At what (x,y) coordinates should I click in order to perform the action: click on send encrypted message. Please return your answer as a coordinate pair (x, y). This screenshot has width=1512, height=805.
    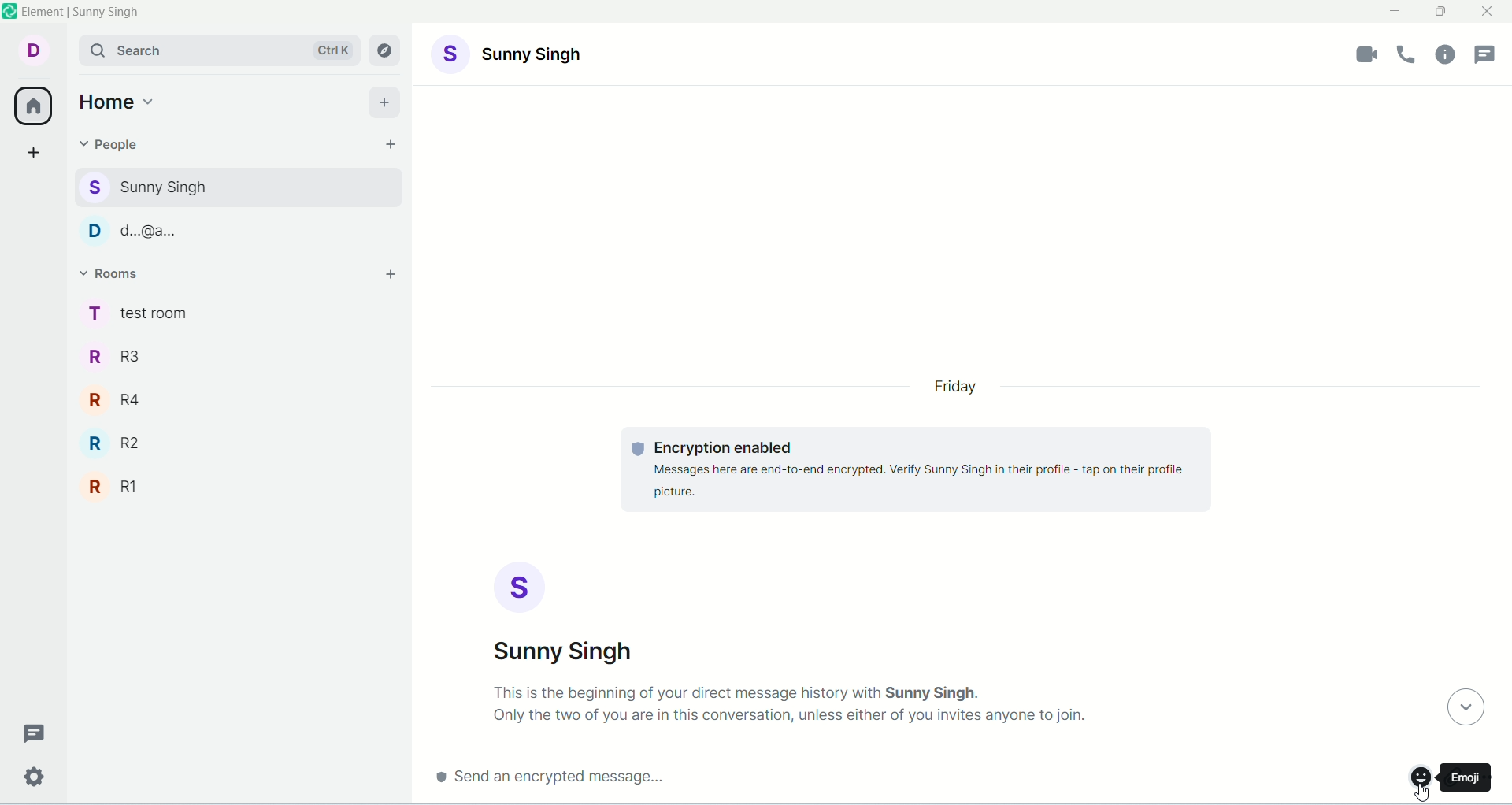
    Looking at the image, I should click on (547, 781).